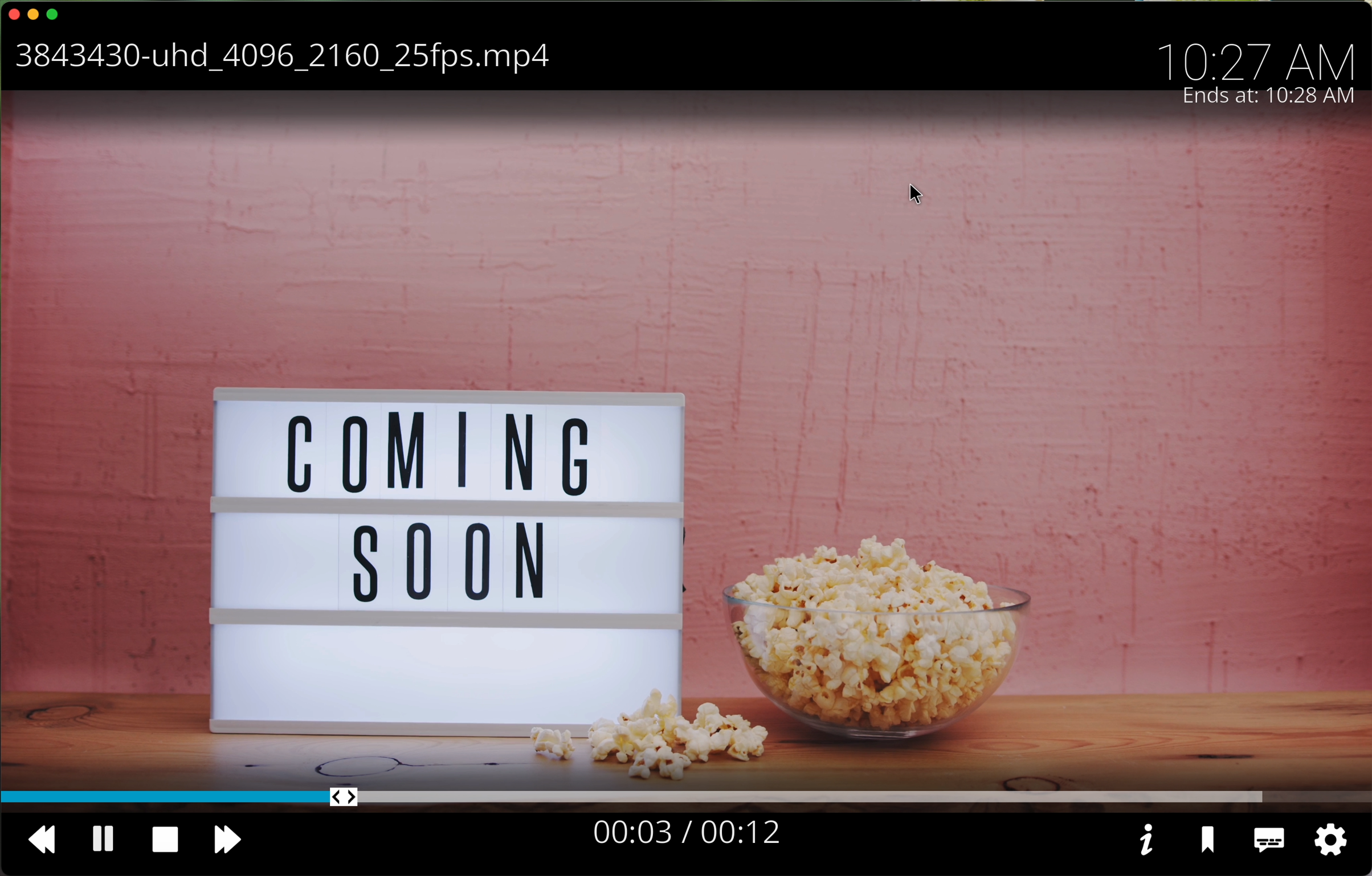  I want to click on cursor, so click(915, 197).